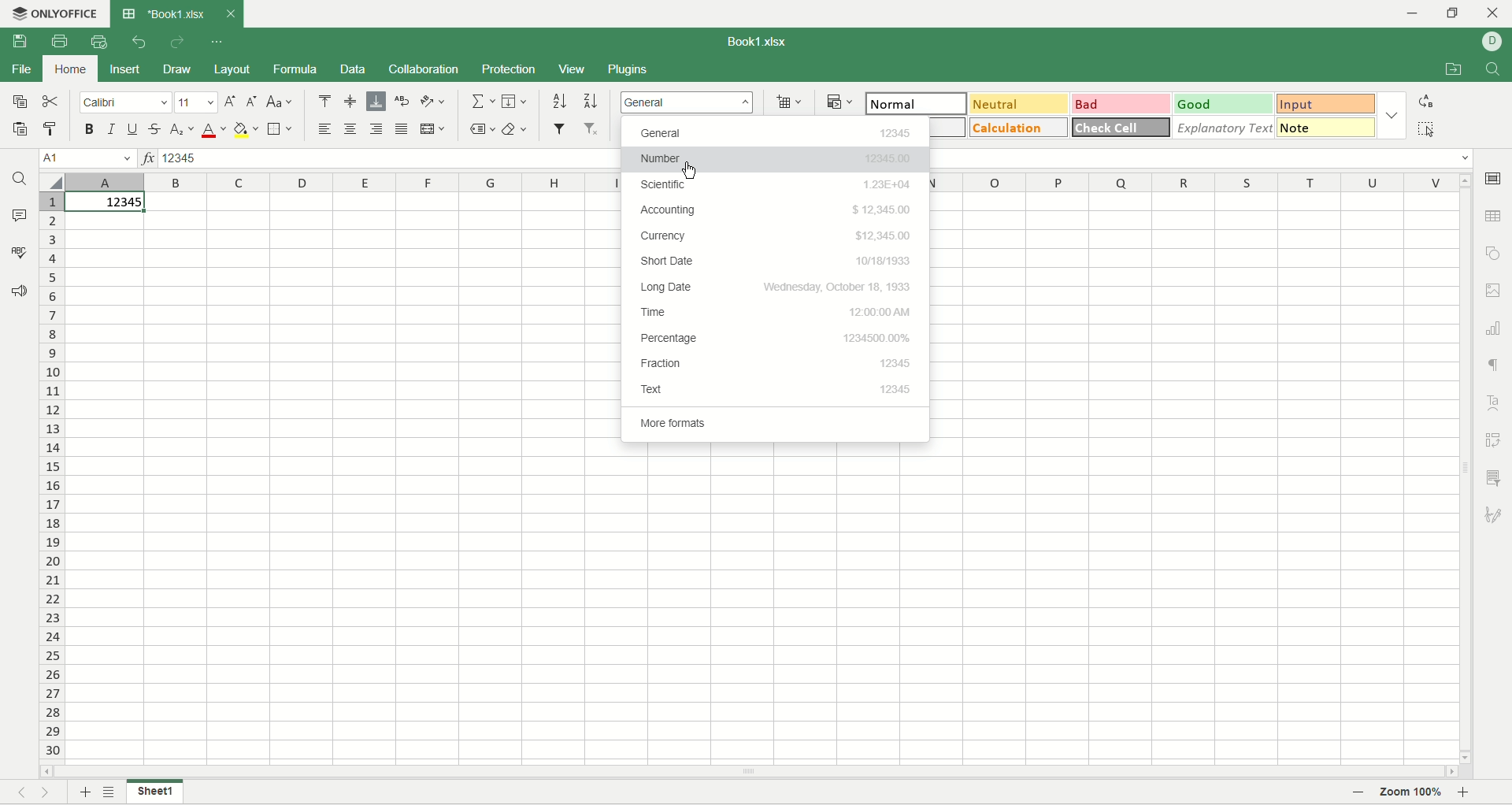 This screenshot has height=805, width=1512. I want to click on view, so click(576, 69).